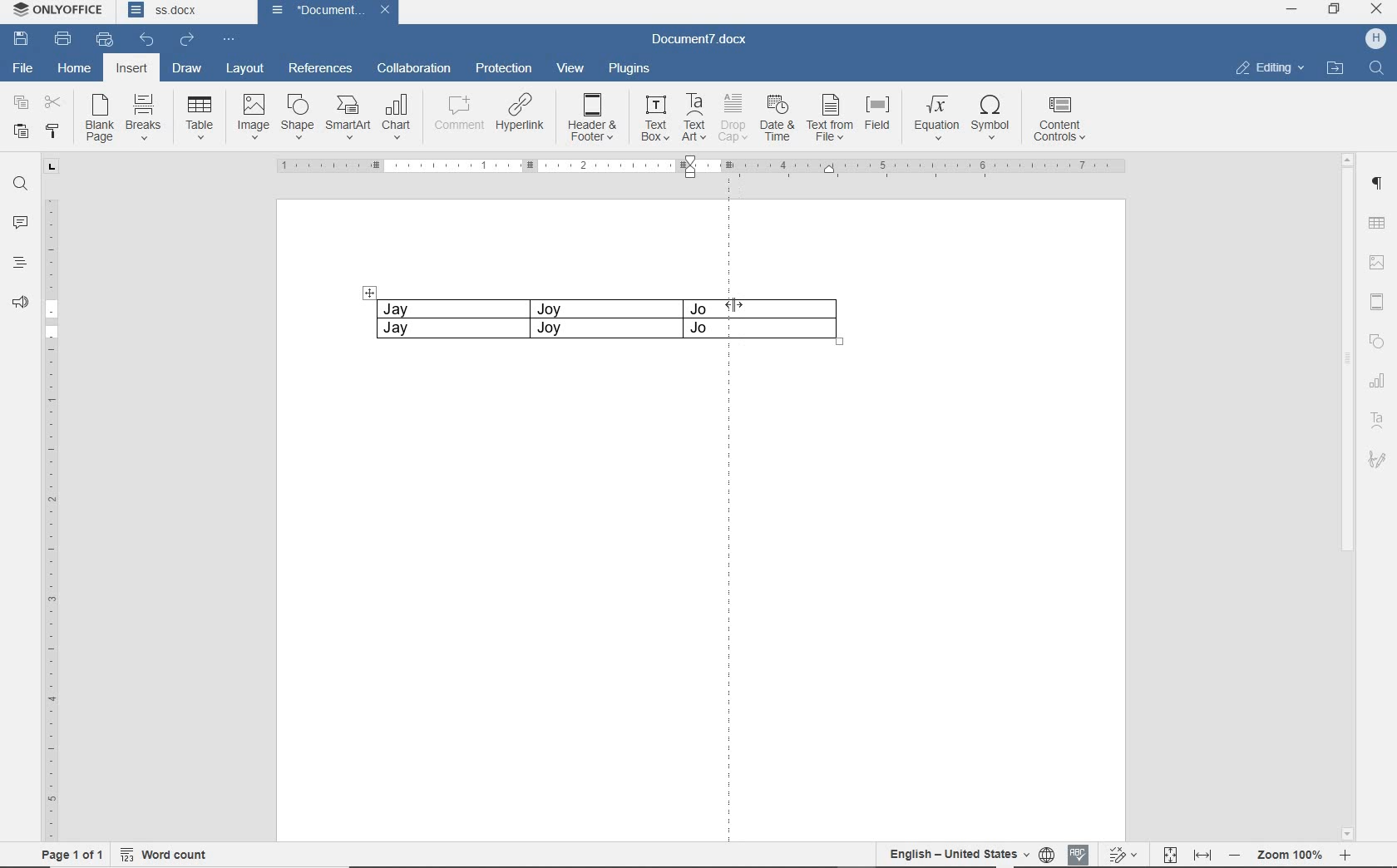 The width and height of the screenshot is (1397, 868). Describe the element at coordinates (142, 38) in the screenshot. I see `UNDO` at that location.